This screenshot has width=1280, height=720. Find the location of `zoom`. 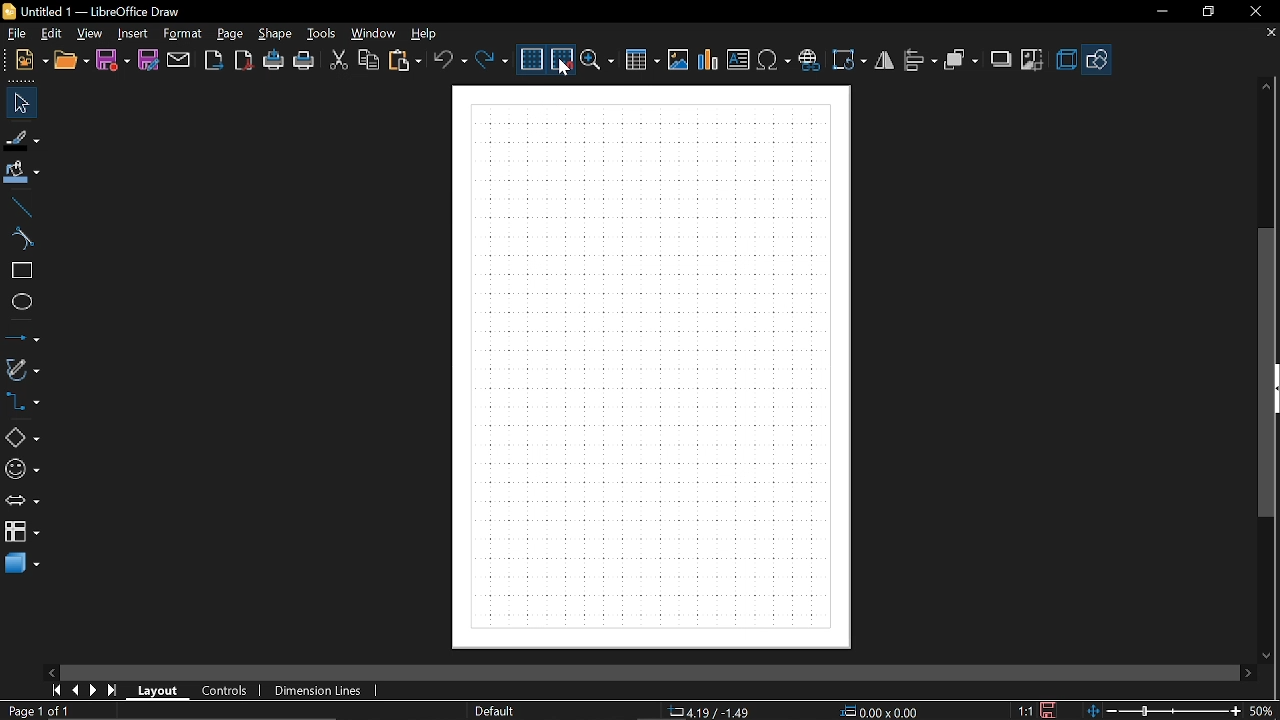

zoom is located at coordinates (599, 61).